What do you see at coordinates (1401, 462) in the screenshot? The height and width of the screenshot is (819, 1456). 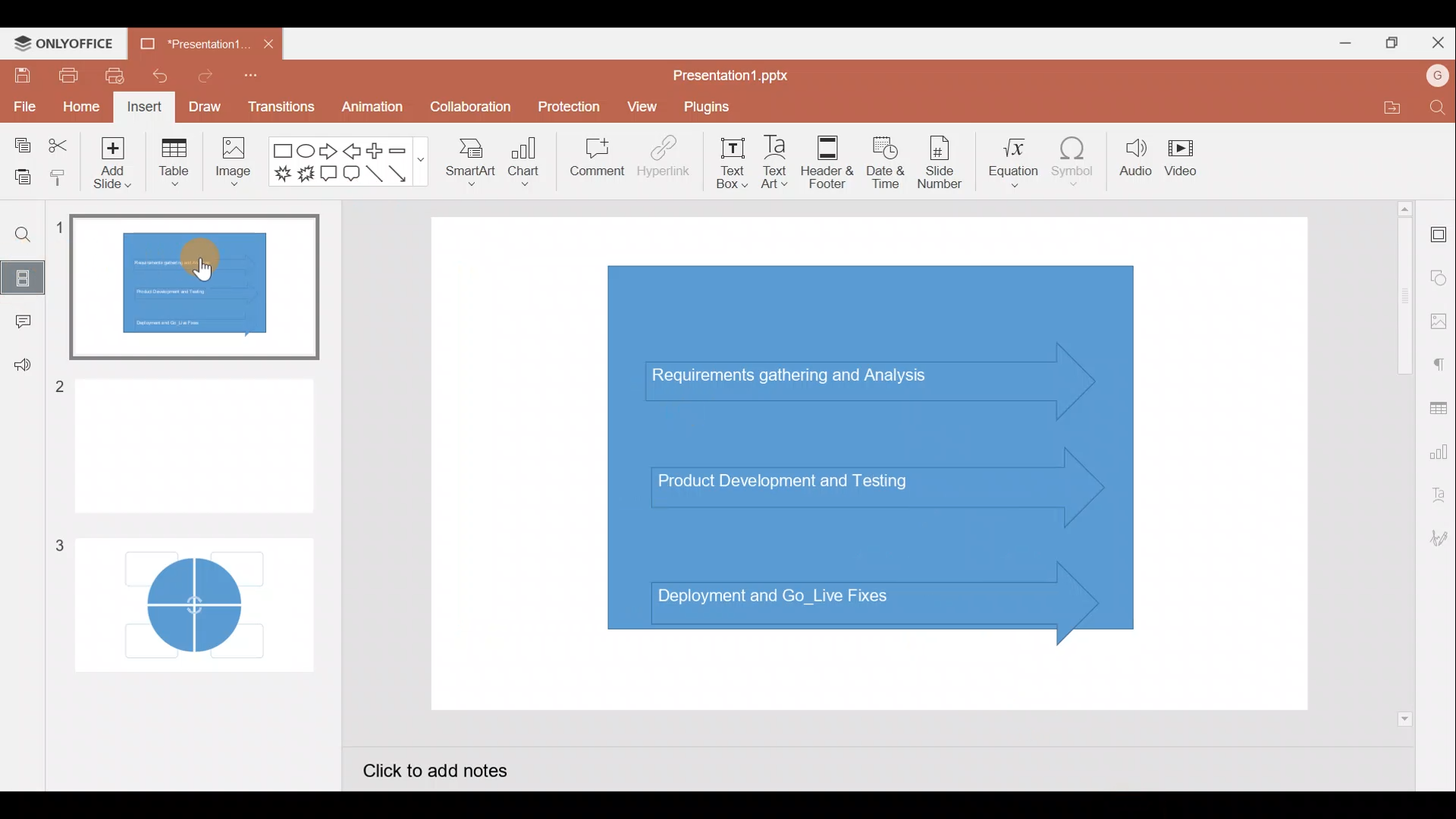 I see `Vertical scroll bar` at bounding box center [1401, 462].